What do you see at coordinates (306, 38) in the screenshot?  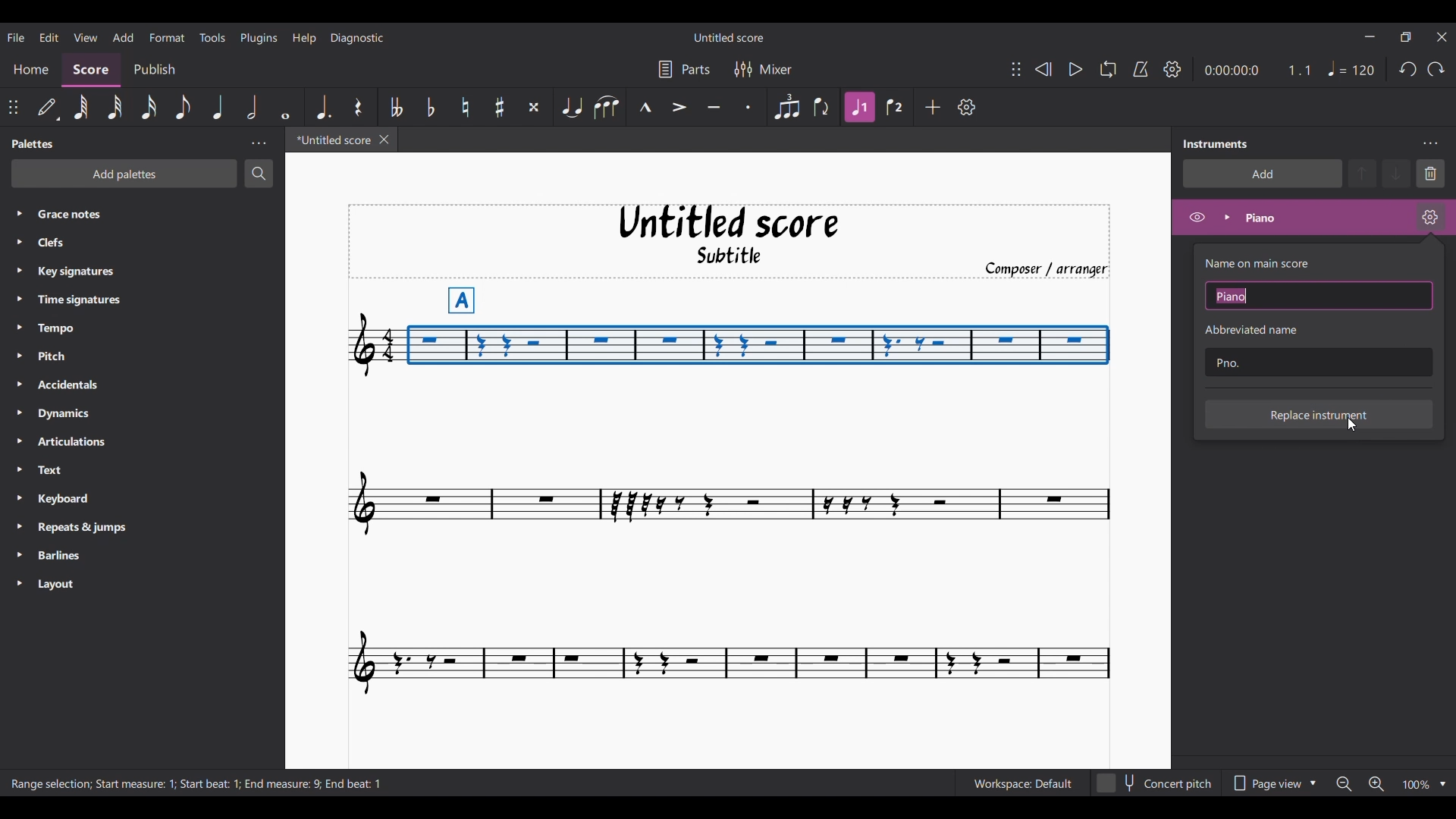 I see `Help menu` at bounding box center [306, 38].